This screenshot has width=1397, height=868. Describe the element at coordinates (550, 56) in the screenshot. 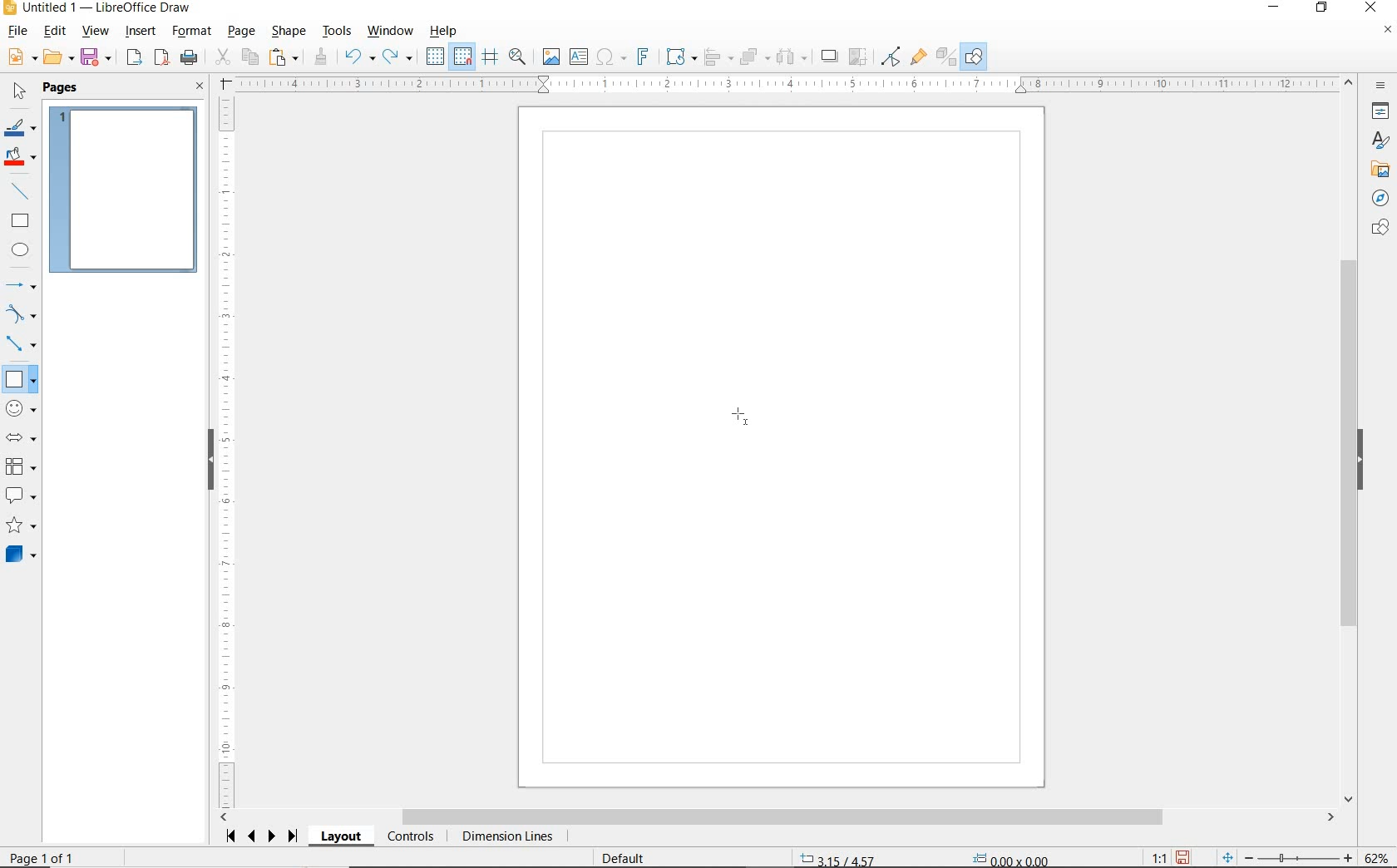

I see `IMAGE` at that location.